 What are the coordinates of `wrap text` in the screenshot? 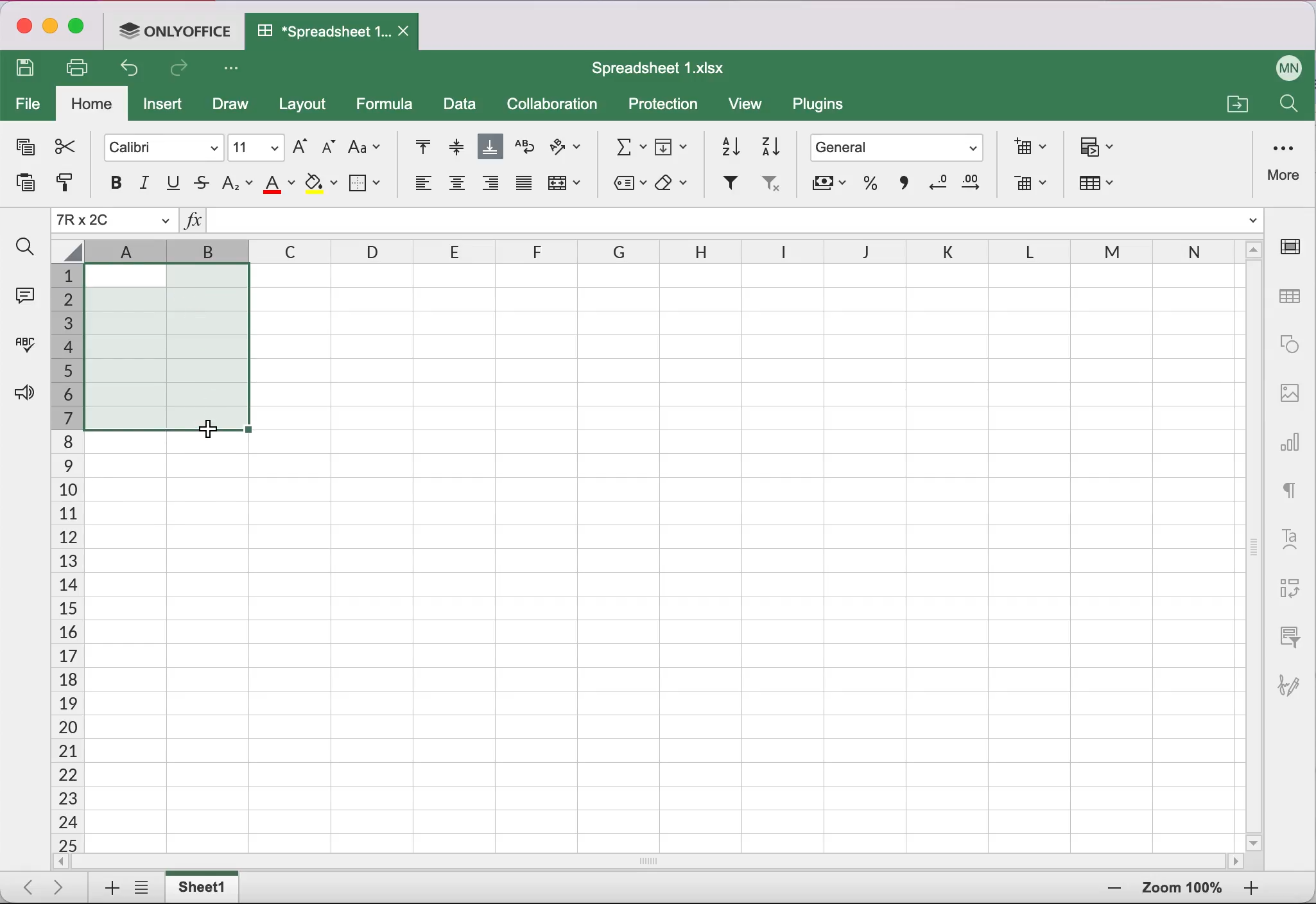 It's located at (524, 147).